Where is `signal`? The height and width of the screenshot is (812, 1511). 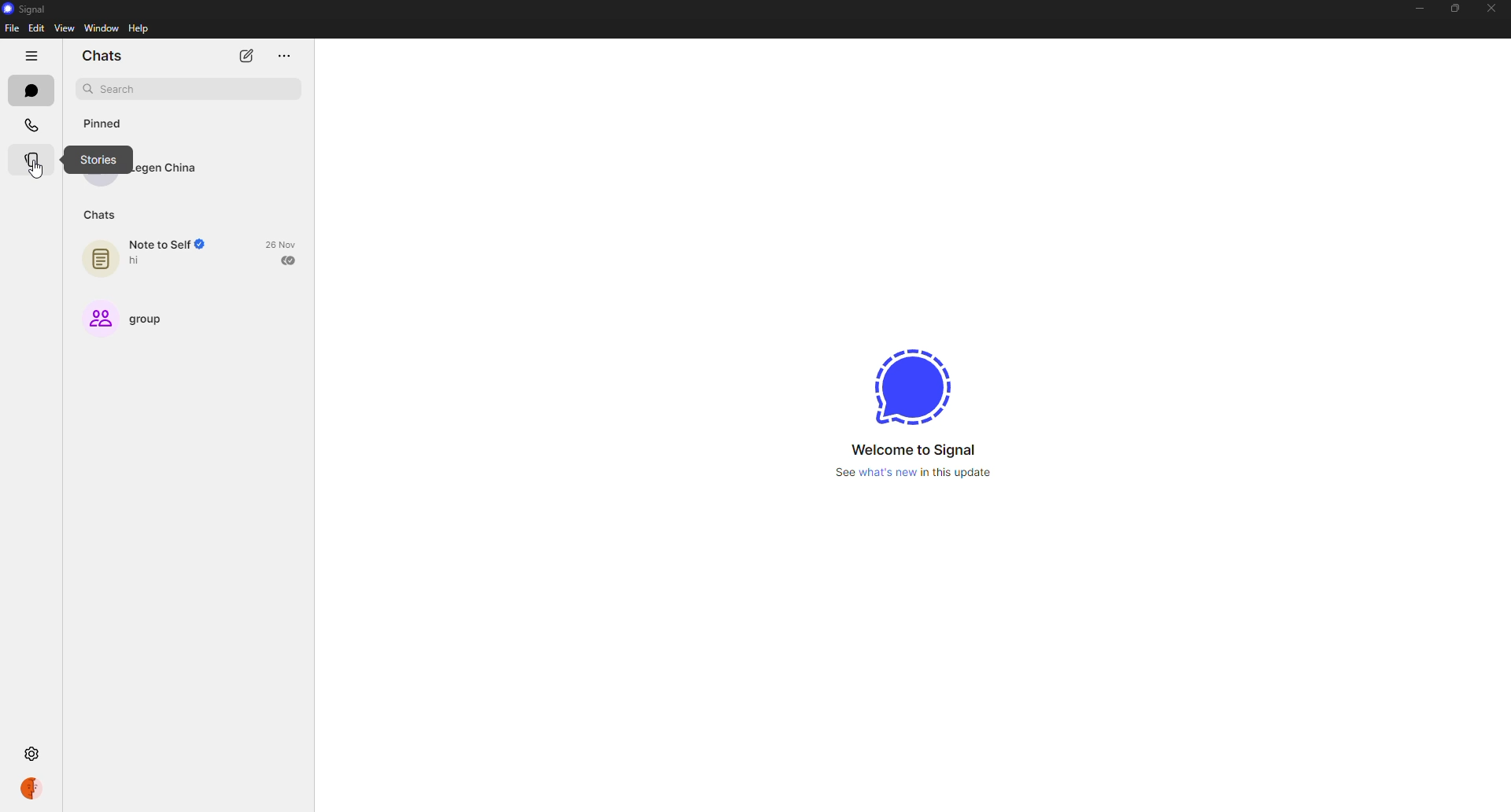 signal is located at coordinates (27, 9).